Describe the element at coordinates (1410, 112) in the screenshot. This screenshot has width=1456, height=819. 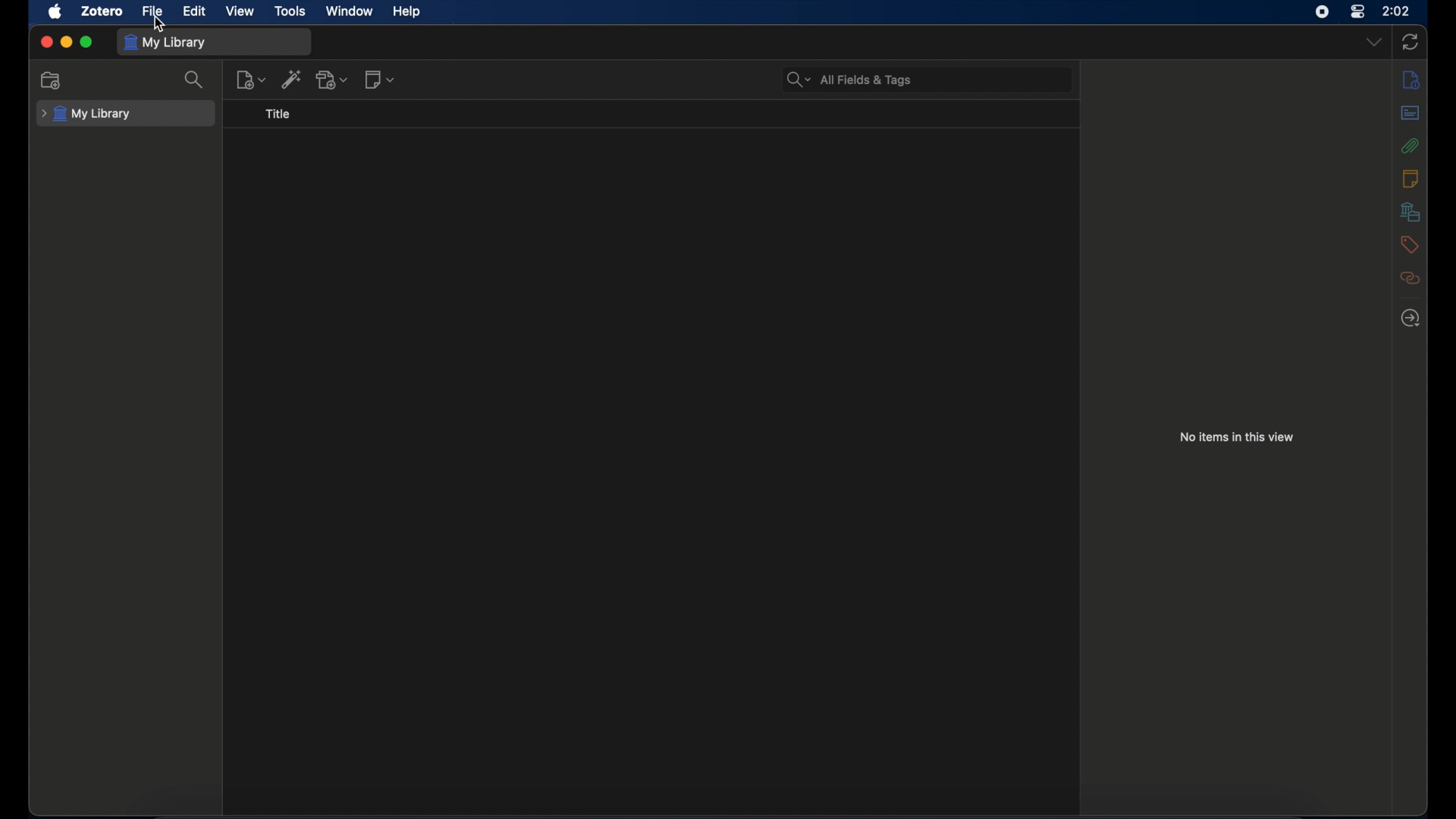
I see `abstract` at that location.